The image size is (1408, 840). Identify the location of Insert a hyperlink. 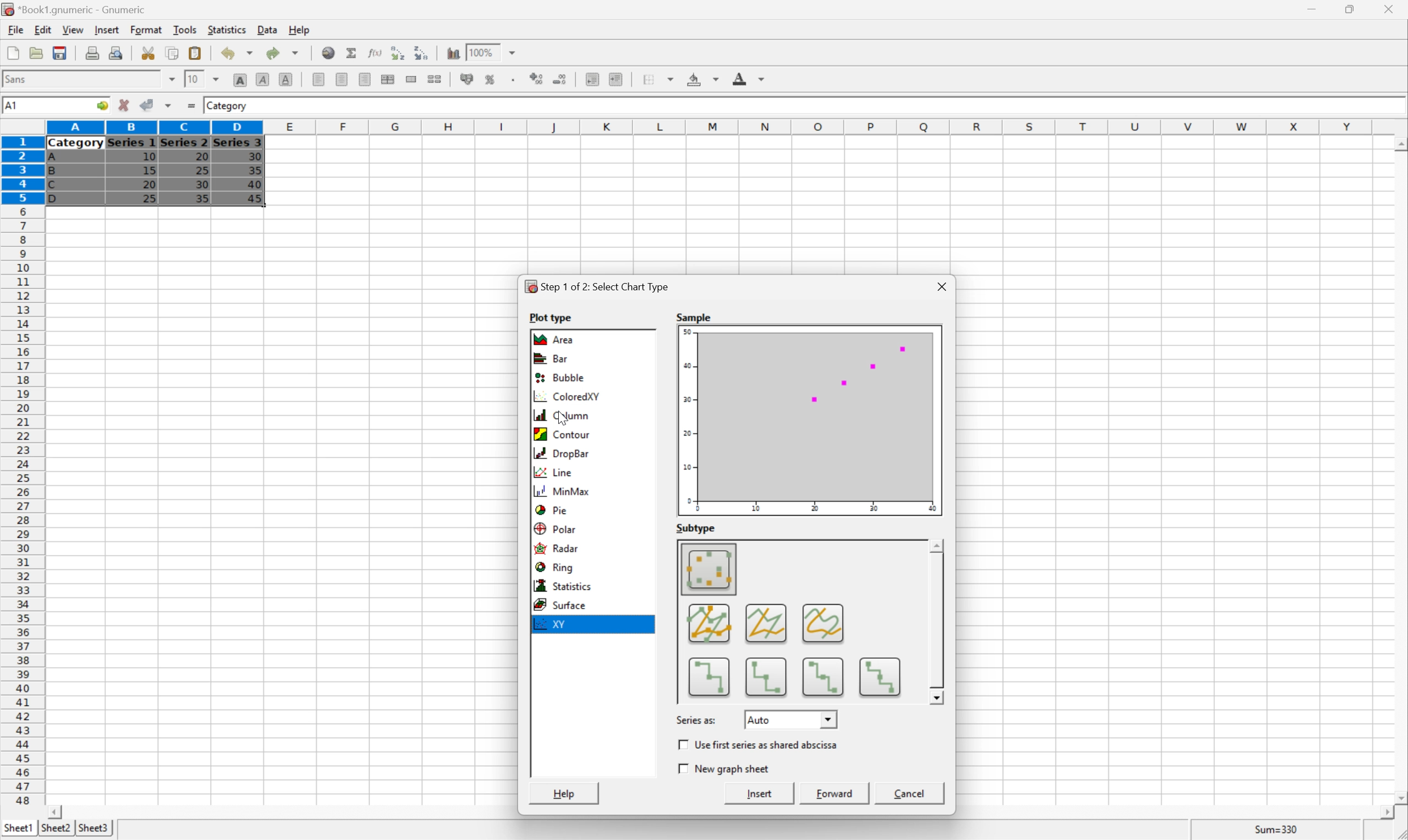
(328, 52).